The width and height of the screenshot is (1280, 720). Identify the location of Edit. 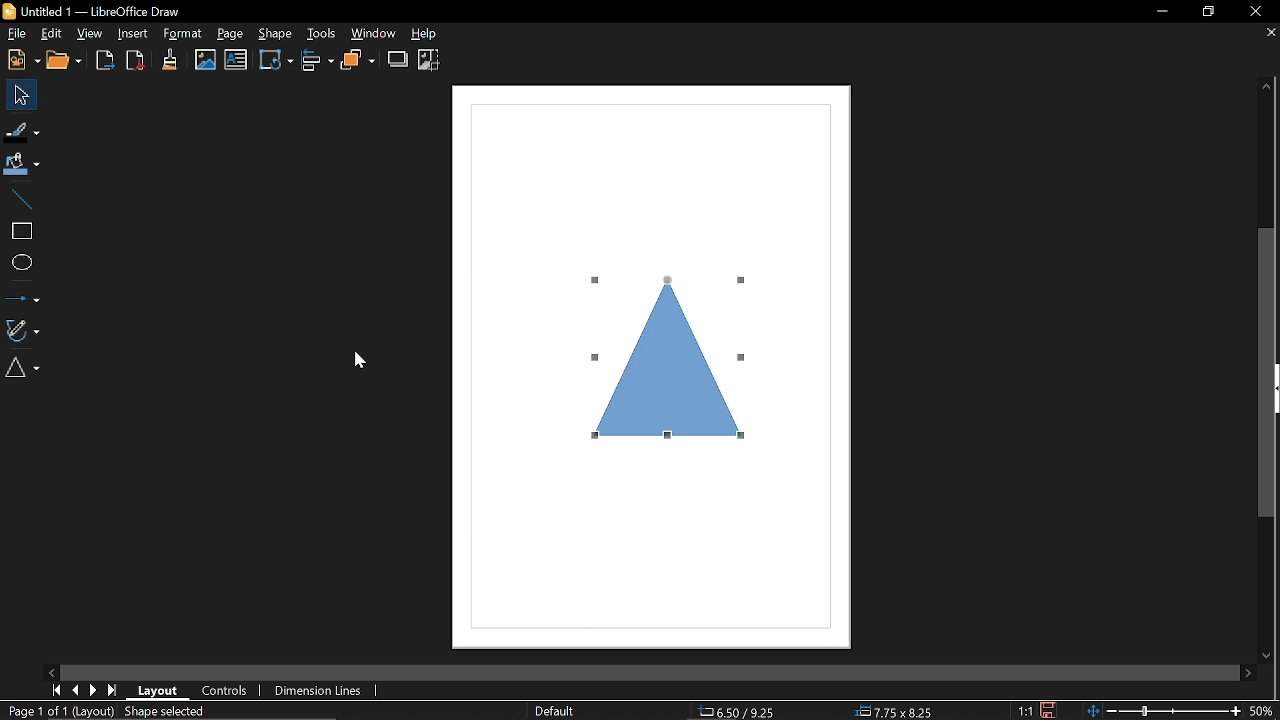
(51, 35).